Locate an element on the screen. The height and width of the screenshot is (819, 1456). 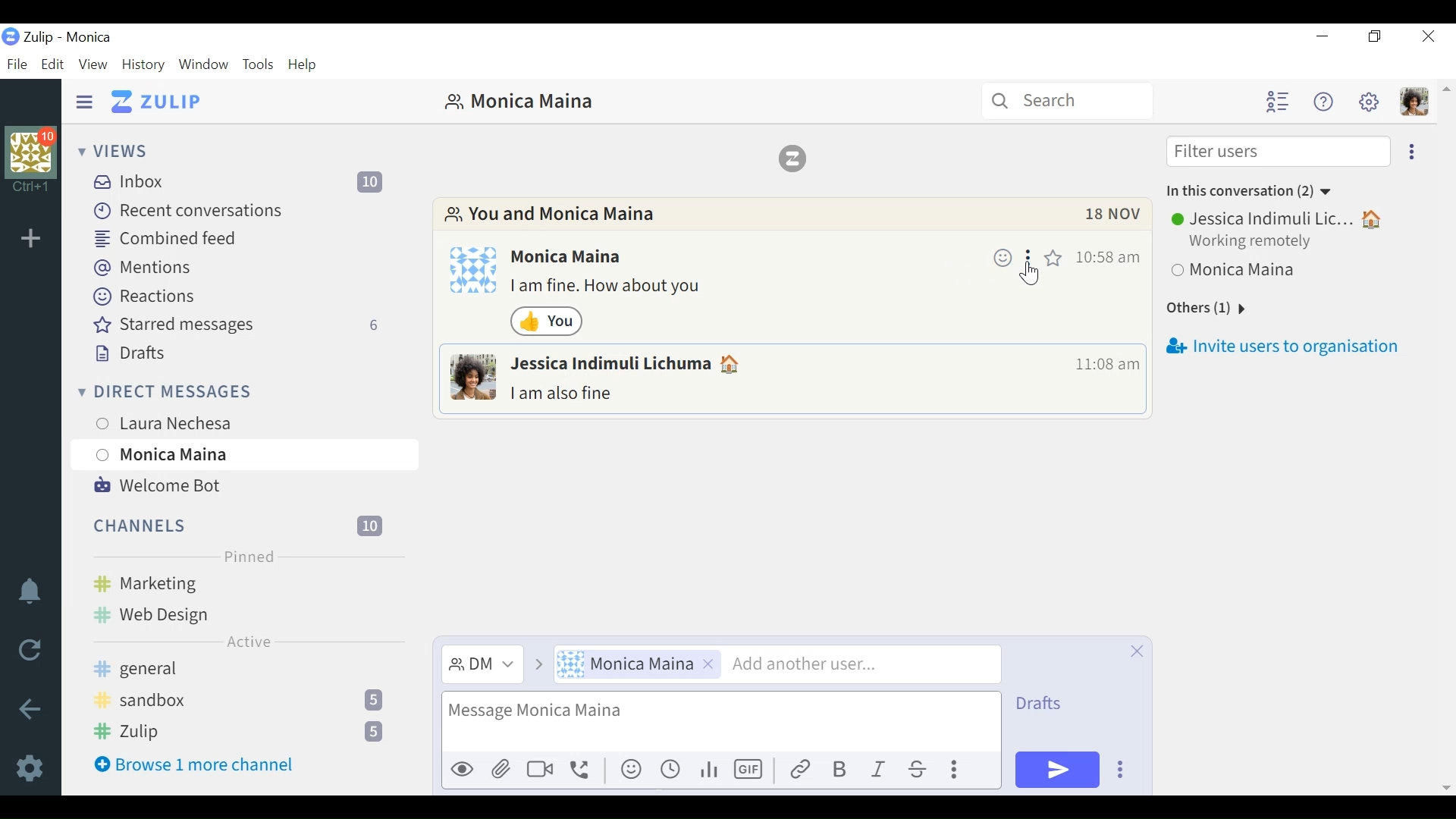
Strikethrough is located at coordinates (921, 770).